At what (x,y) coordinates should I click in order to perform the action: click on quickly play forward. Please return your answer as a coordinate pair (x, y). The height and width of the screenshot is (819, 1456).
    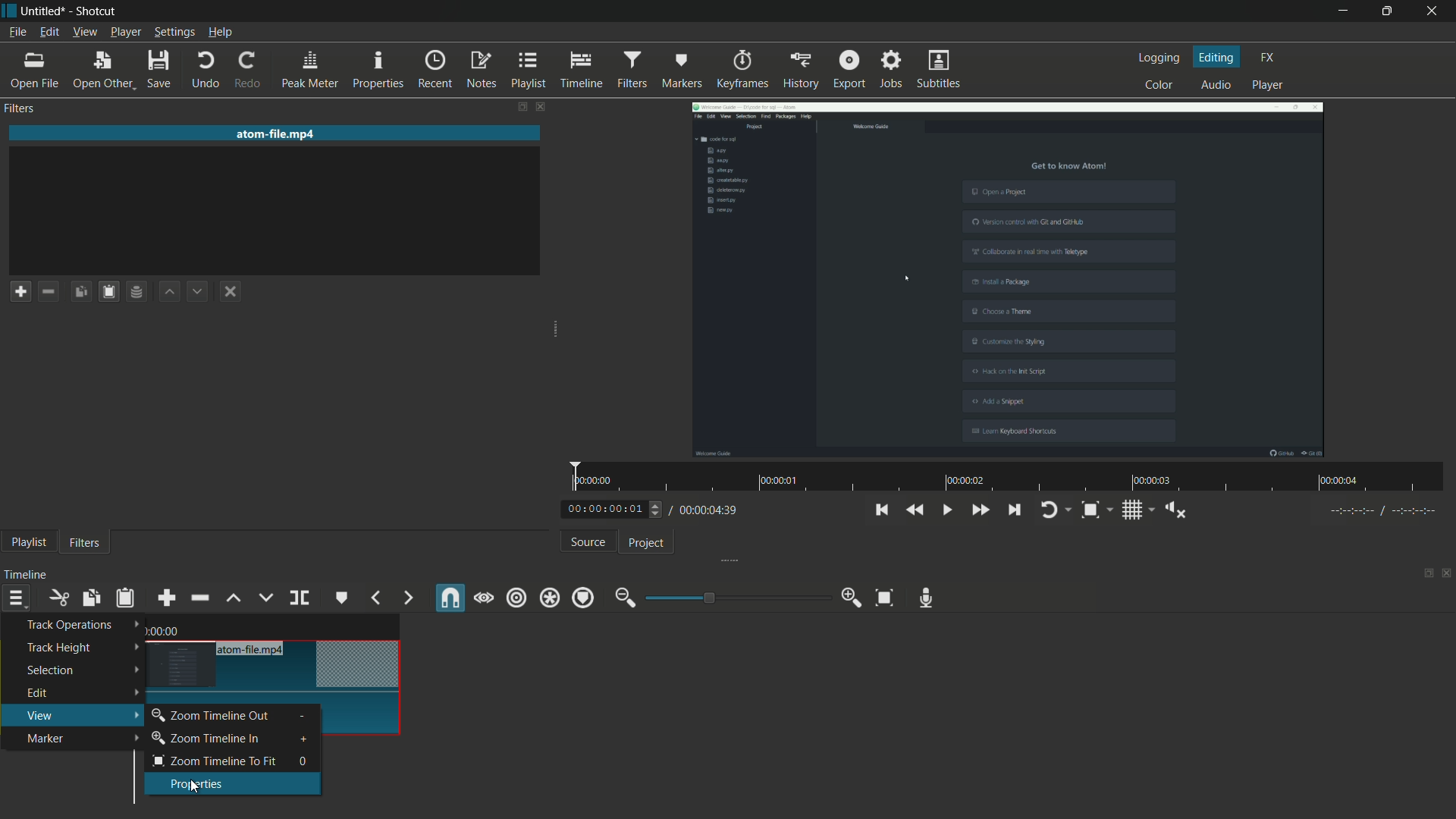
    Looking at the image, I should click on (979, 510).